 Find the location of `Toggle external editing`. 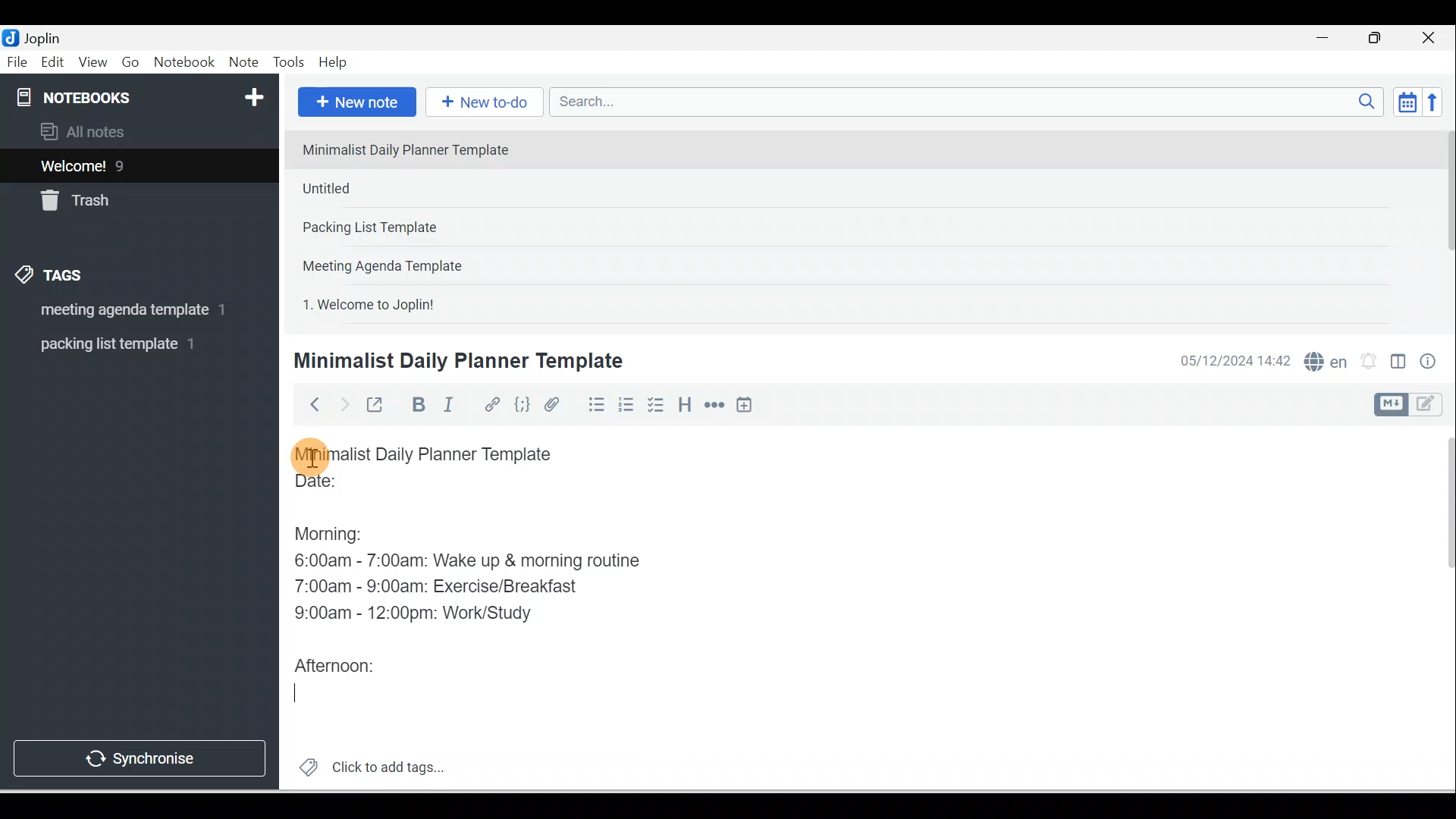

Toggle external editing is located at coordinates (377, 408).